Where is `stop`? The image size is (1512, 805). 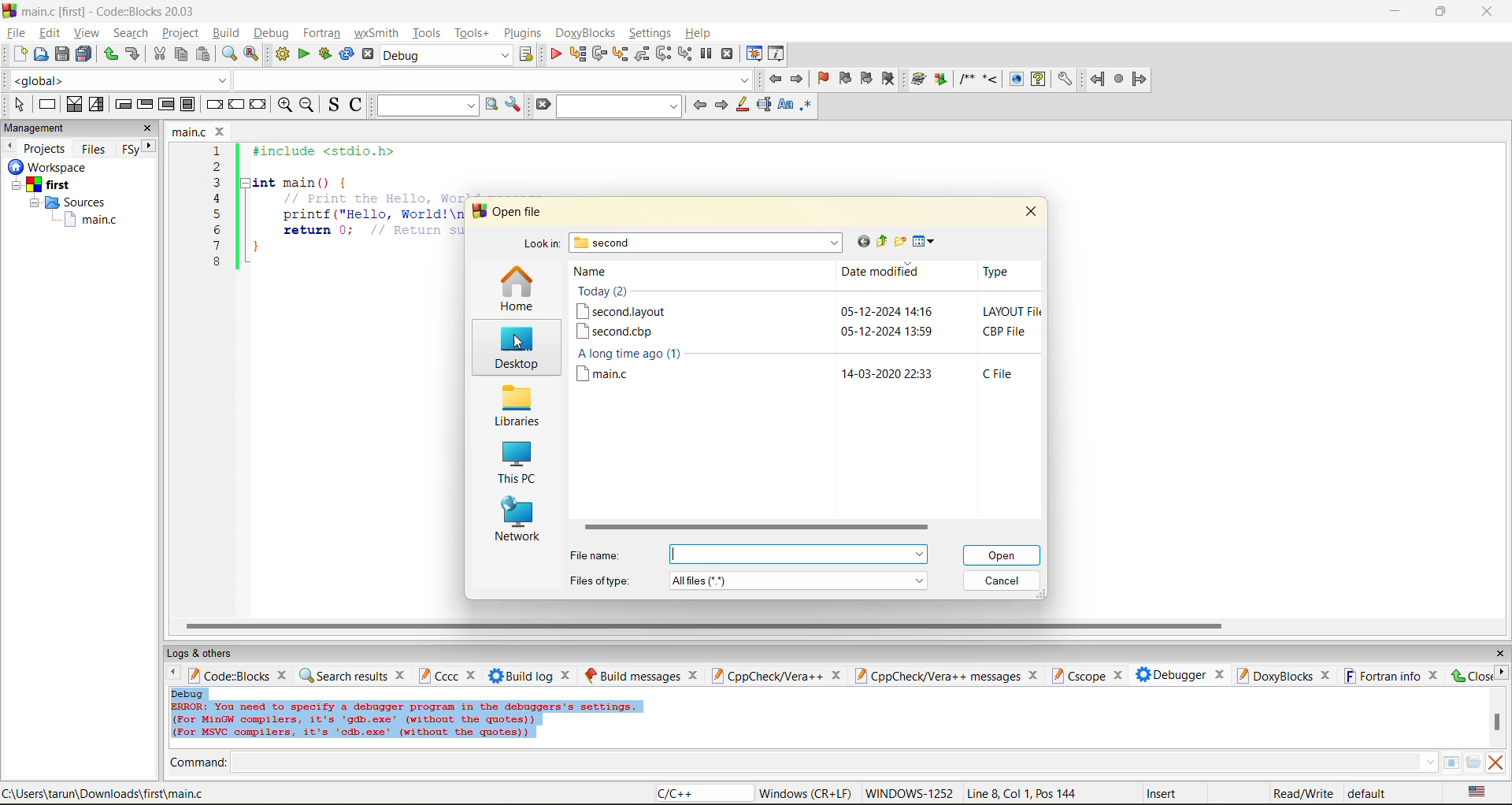
stop is located at coordinates (1120, 80).